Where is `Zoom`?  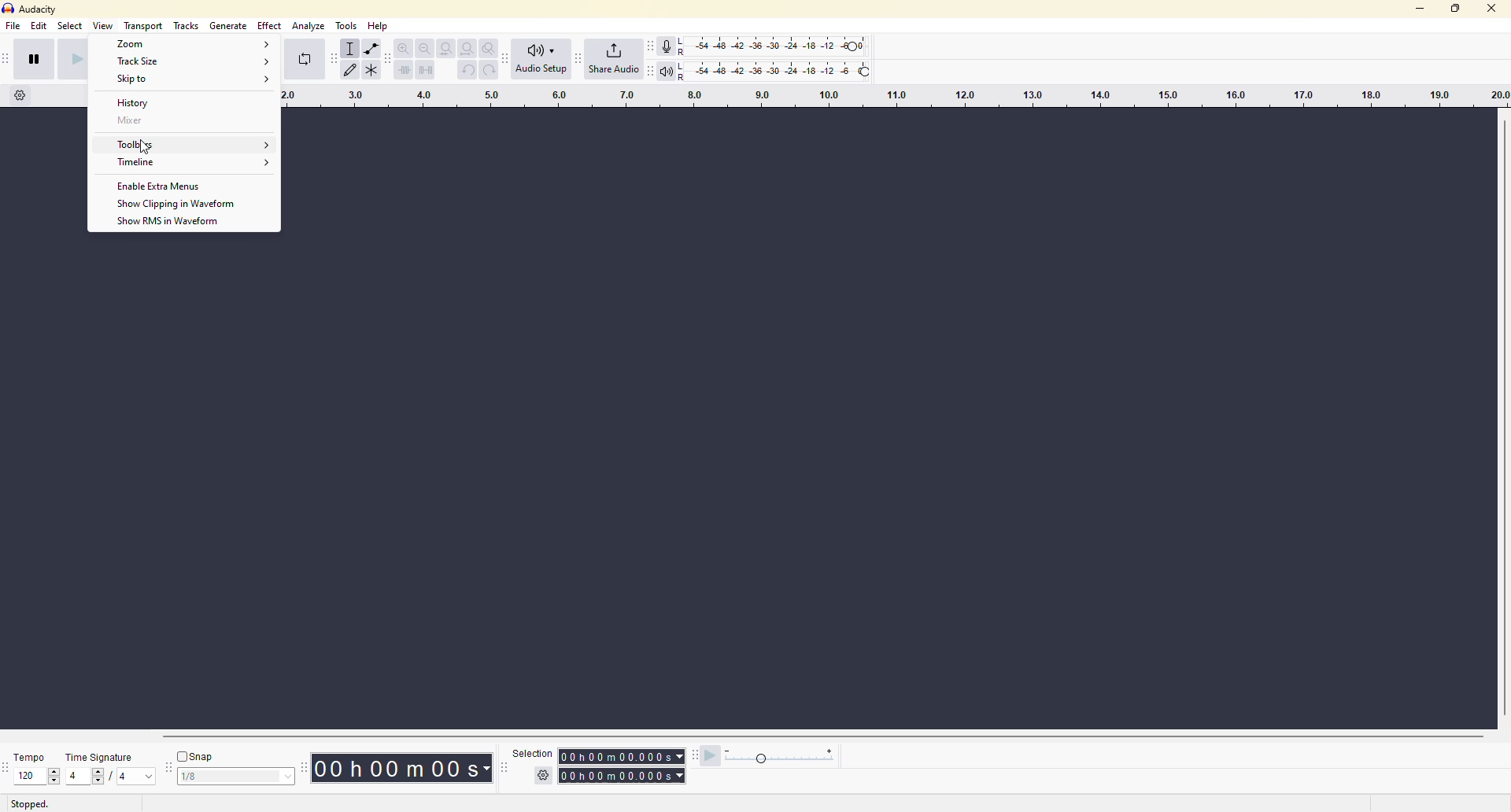
Zoom is located at coordinates (192, 46).